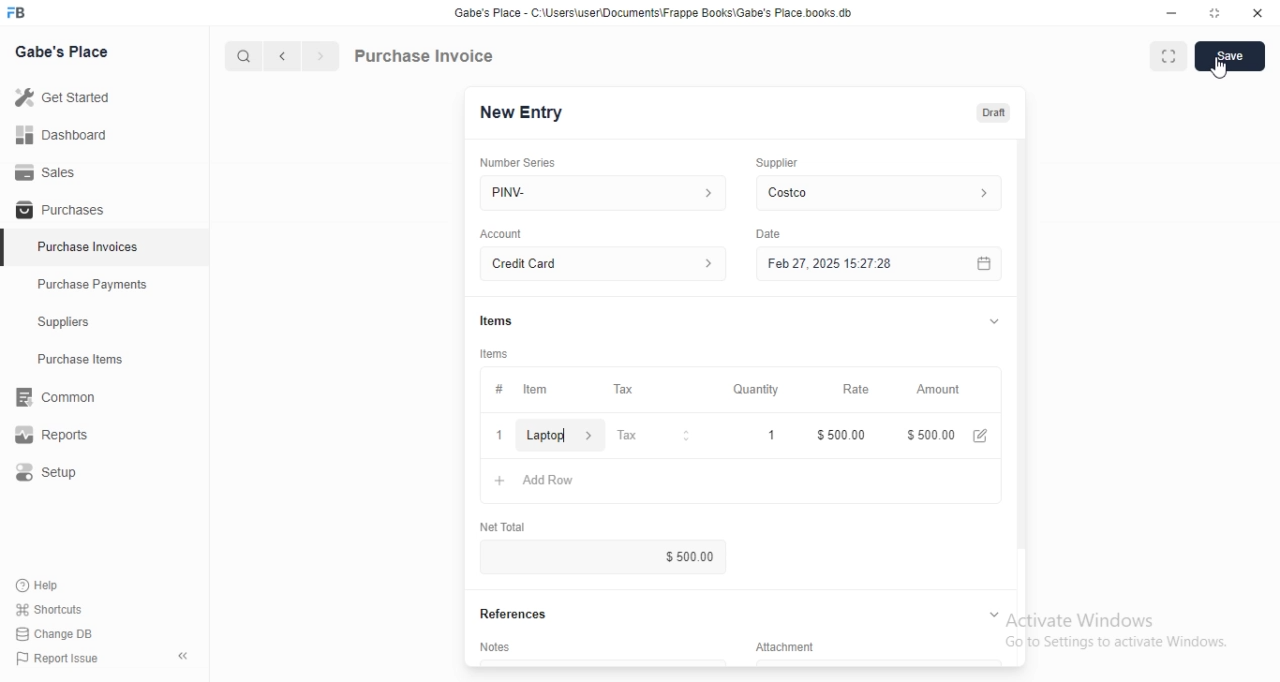 Image resolution: width=1280 pixels, height=682 pixels. I want to click on Items, so click(494, 354).